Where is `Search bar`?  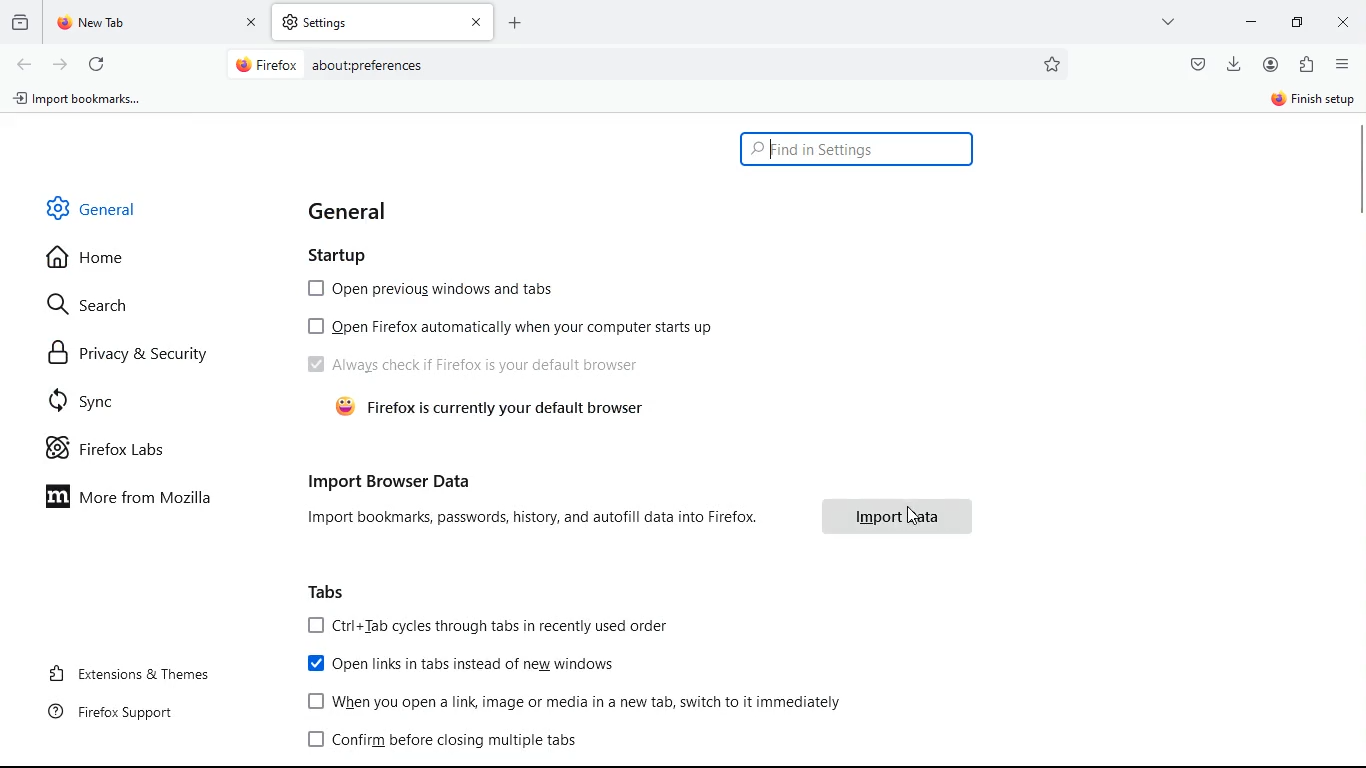
Search bar is located at coordinates (649, 66).